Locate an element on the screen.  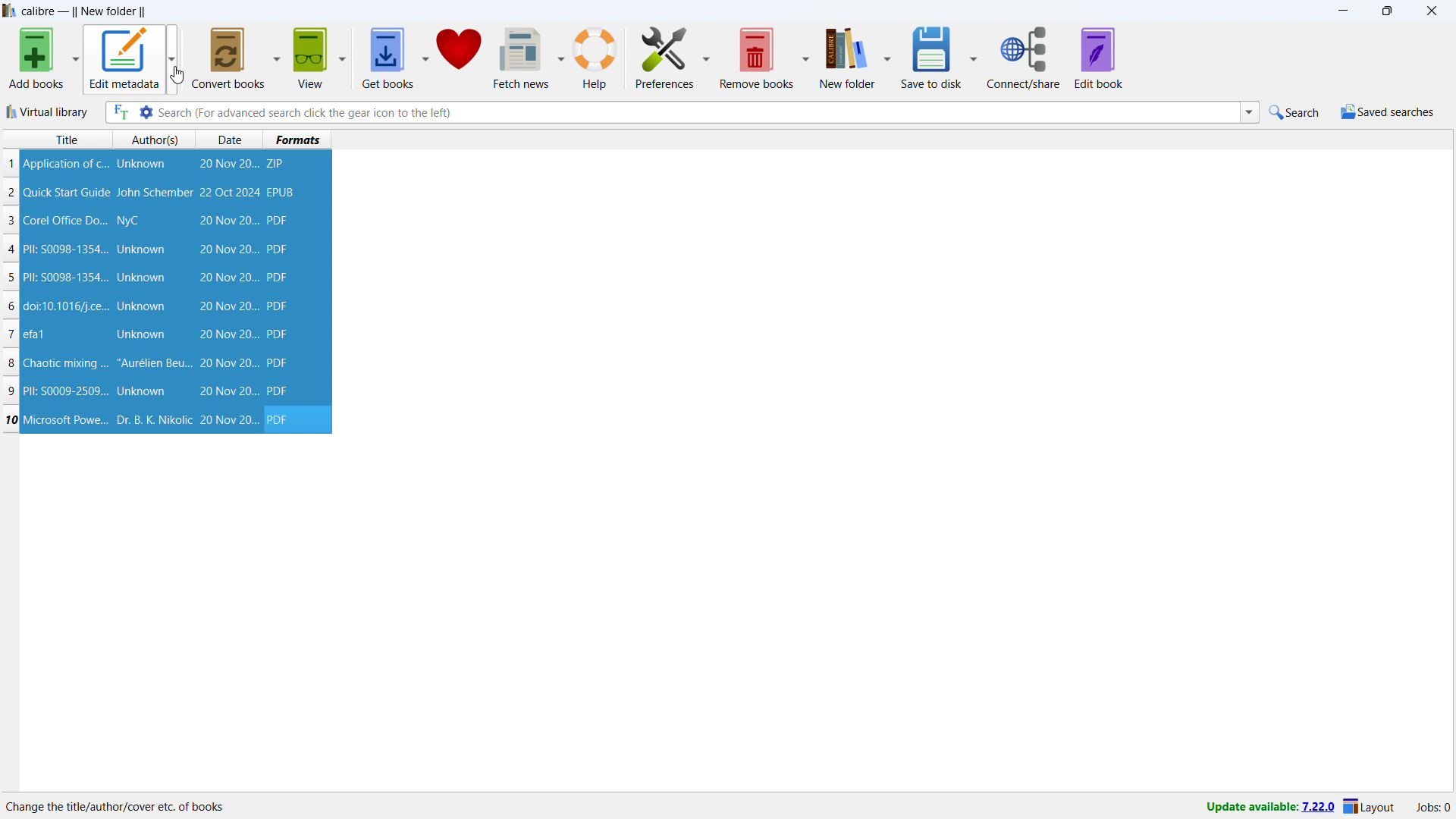
4 is located at coordinates (14, 250).